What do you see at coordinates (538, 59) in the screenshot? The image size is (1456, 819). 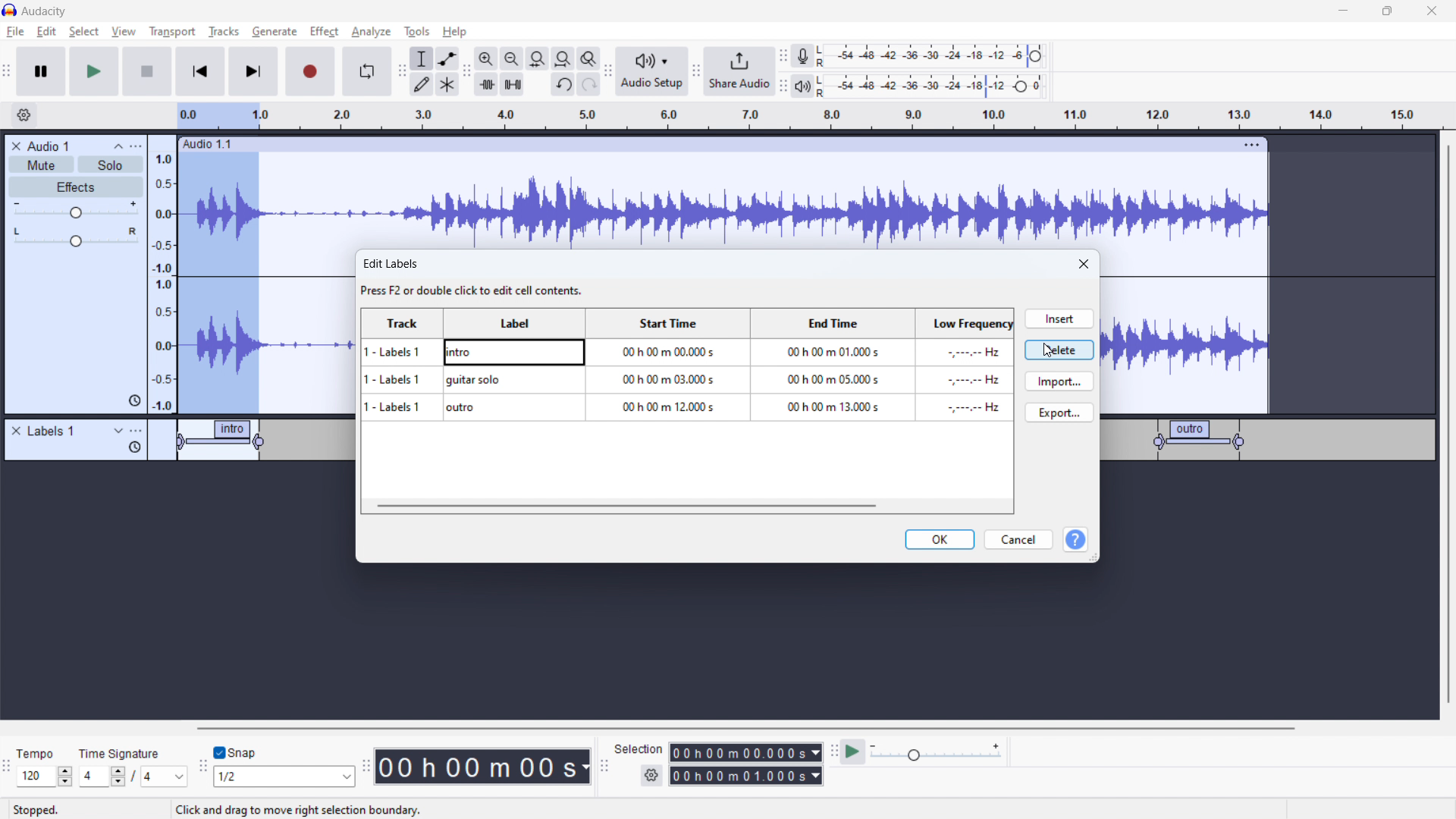 I see `fit selction to width` at bounding box center [538, 59].